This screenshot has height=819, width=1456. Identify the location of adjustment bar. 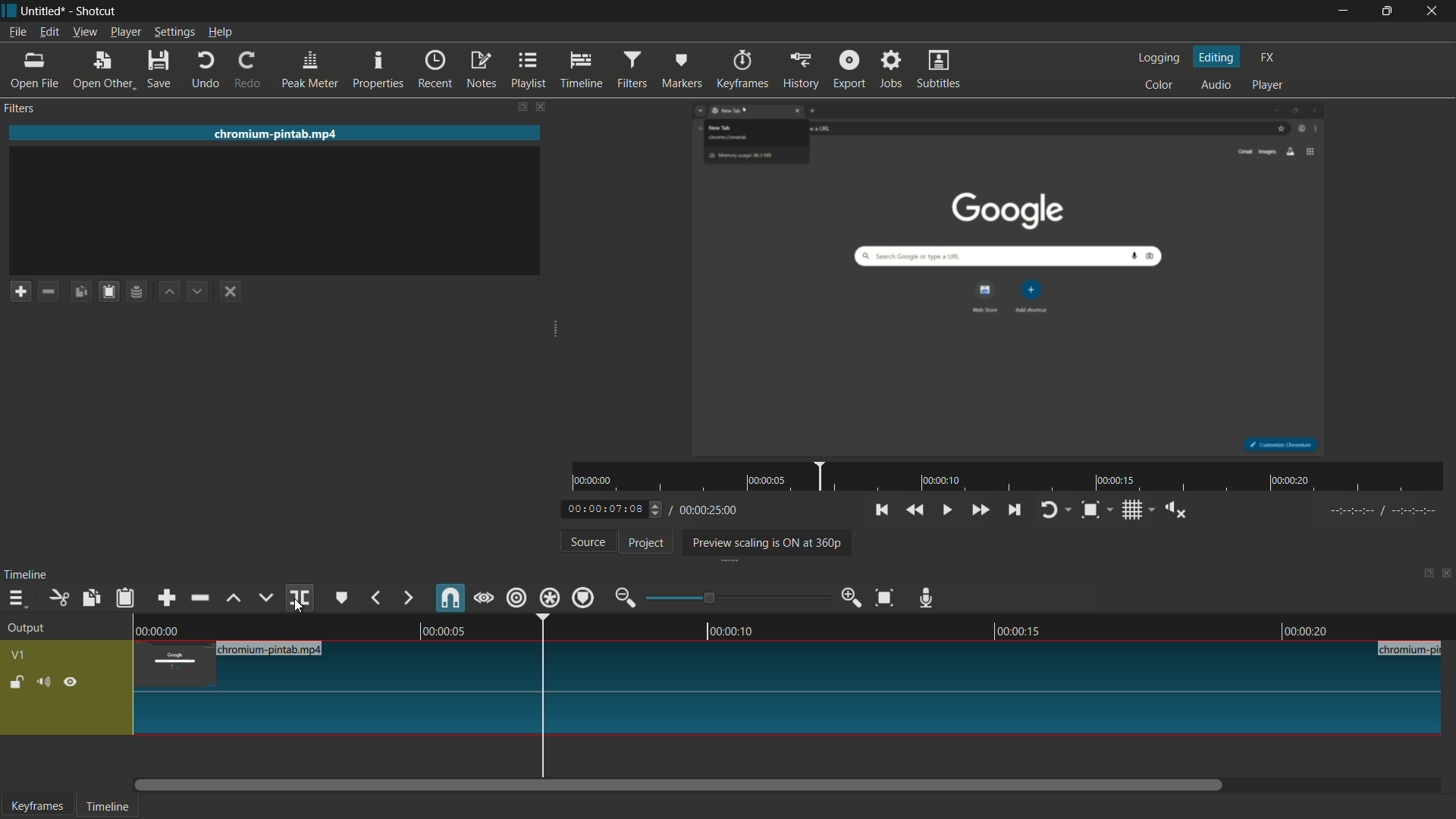
(739, 598).